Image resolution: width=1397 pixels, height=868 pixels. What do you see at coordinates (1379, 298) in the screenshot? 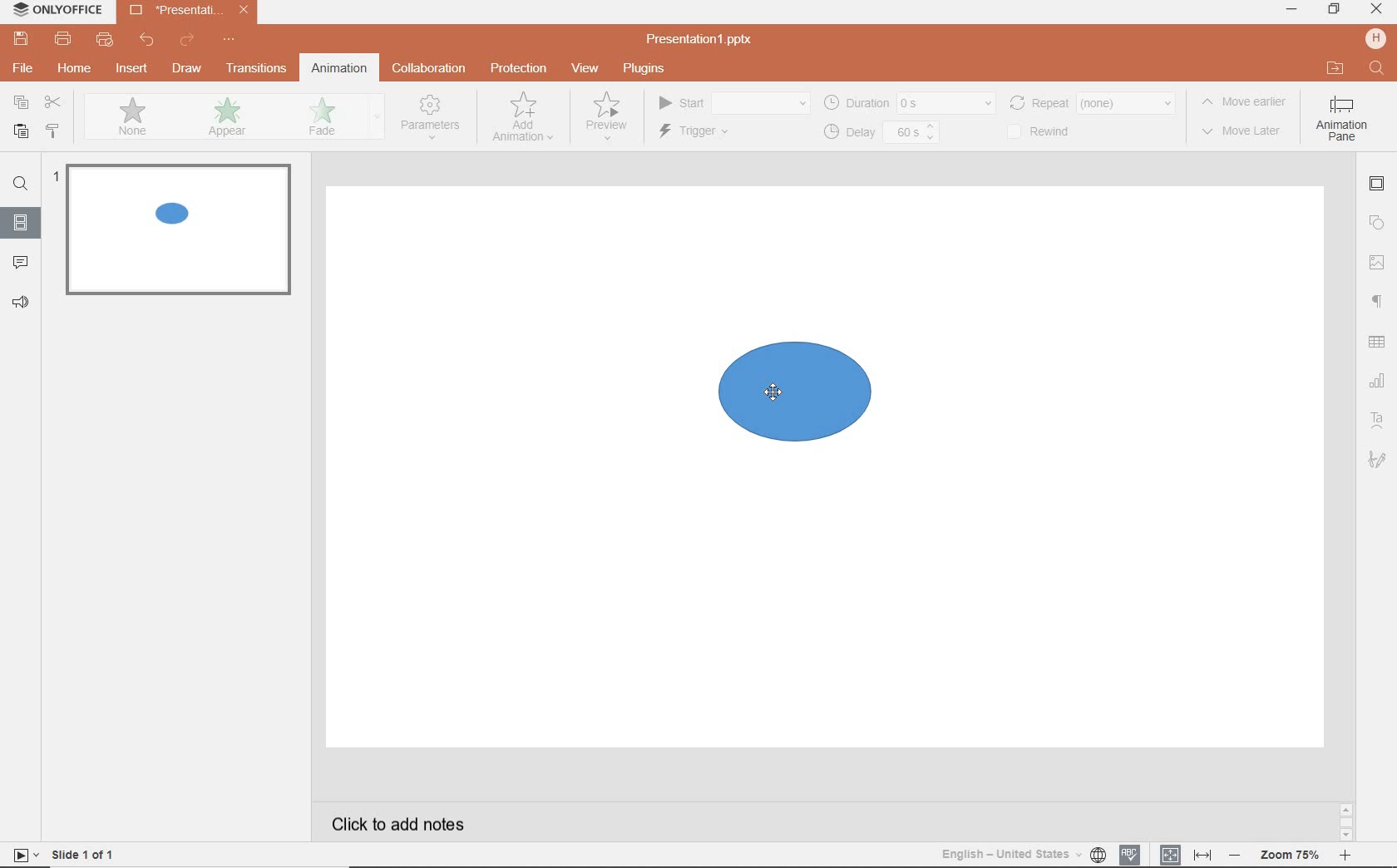
I see `paragraph settings` at bounding box center [1379, 298].